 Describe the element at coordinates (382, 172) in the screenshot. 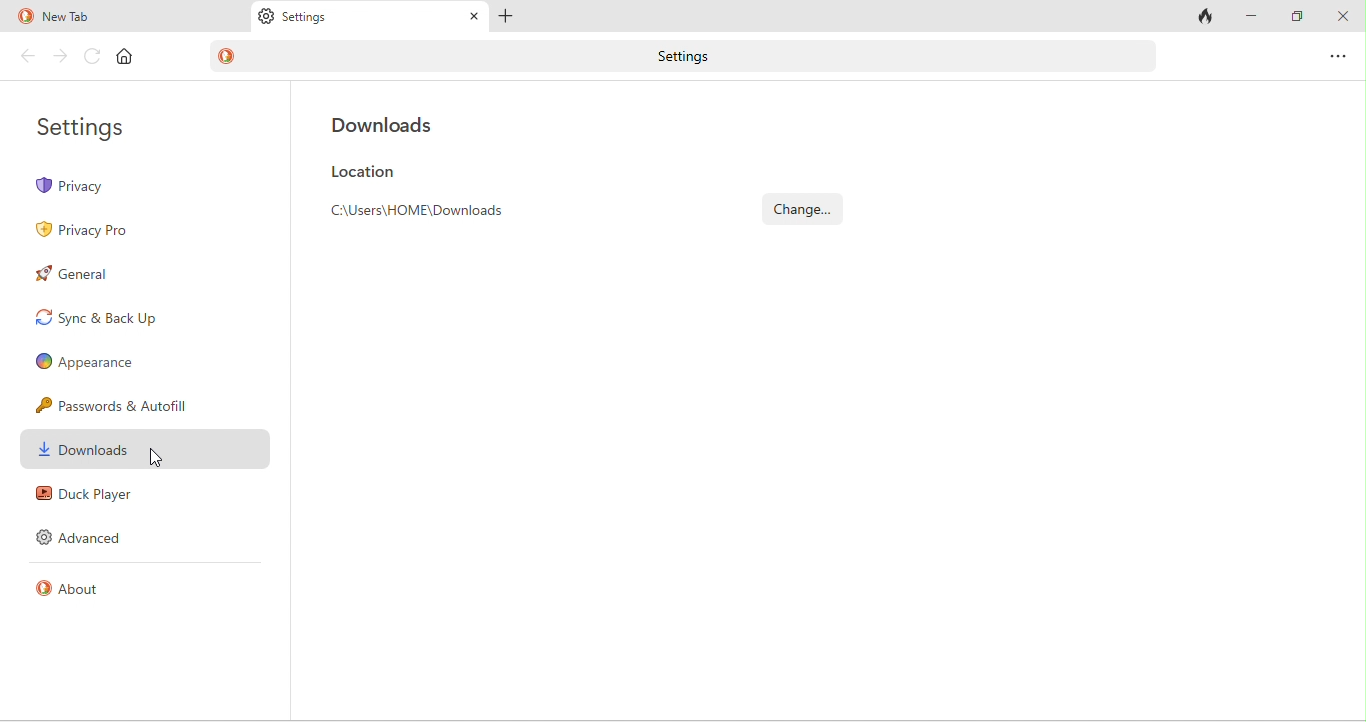

I see `location` at that location.